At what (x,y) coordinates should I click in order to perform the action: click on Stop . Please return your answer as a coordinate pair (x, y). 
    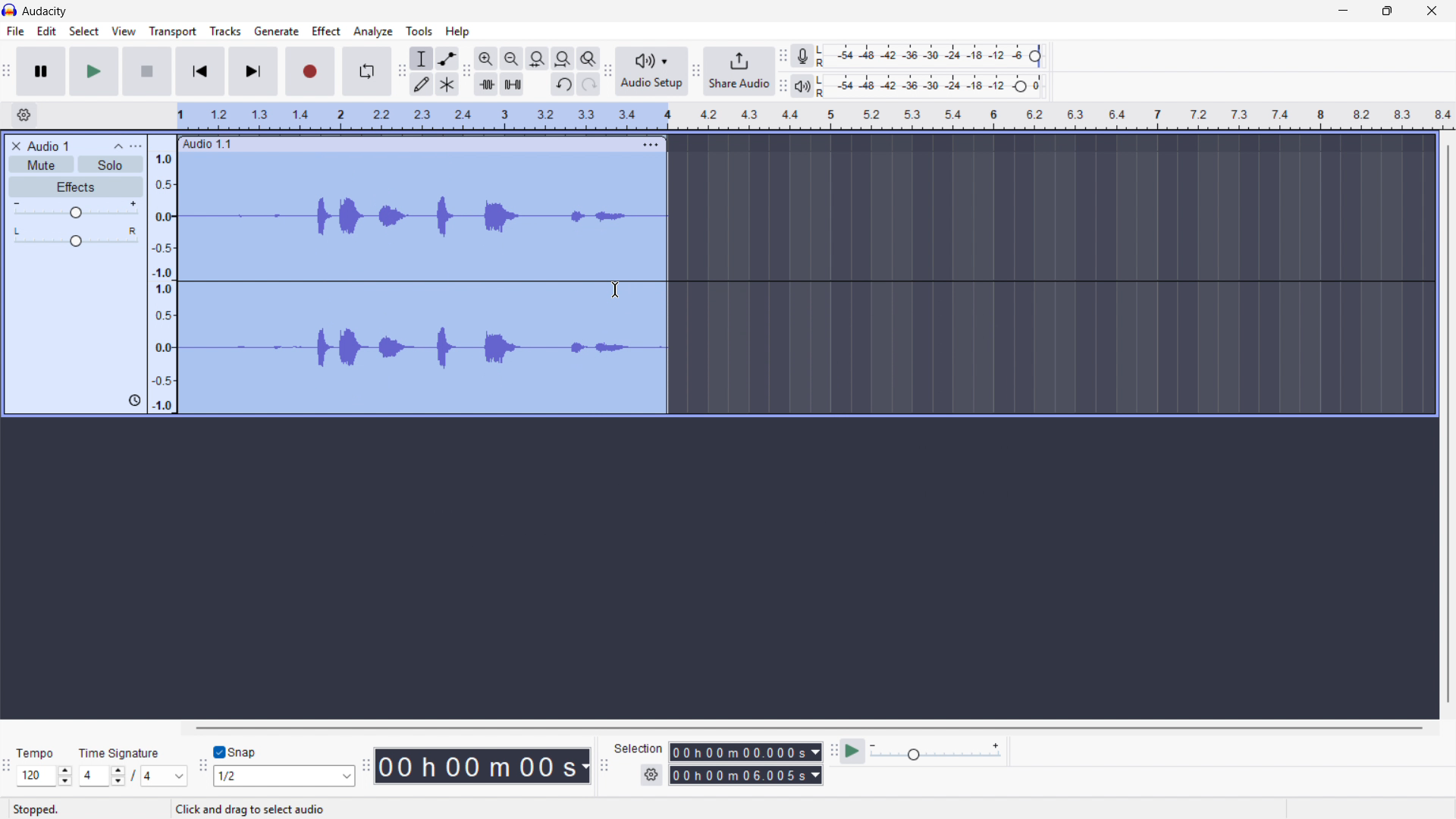
    Looking at the image, I should click on (147, 71).